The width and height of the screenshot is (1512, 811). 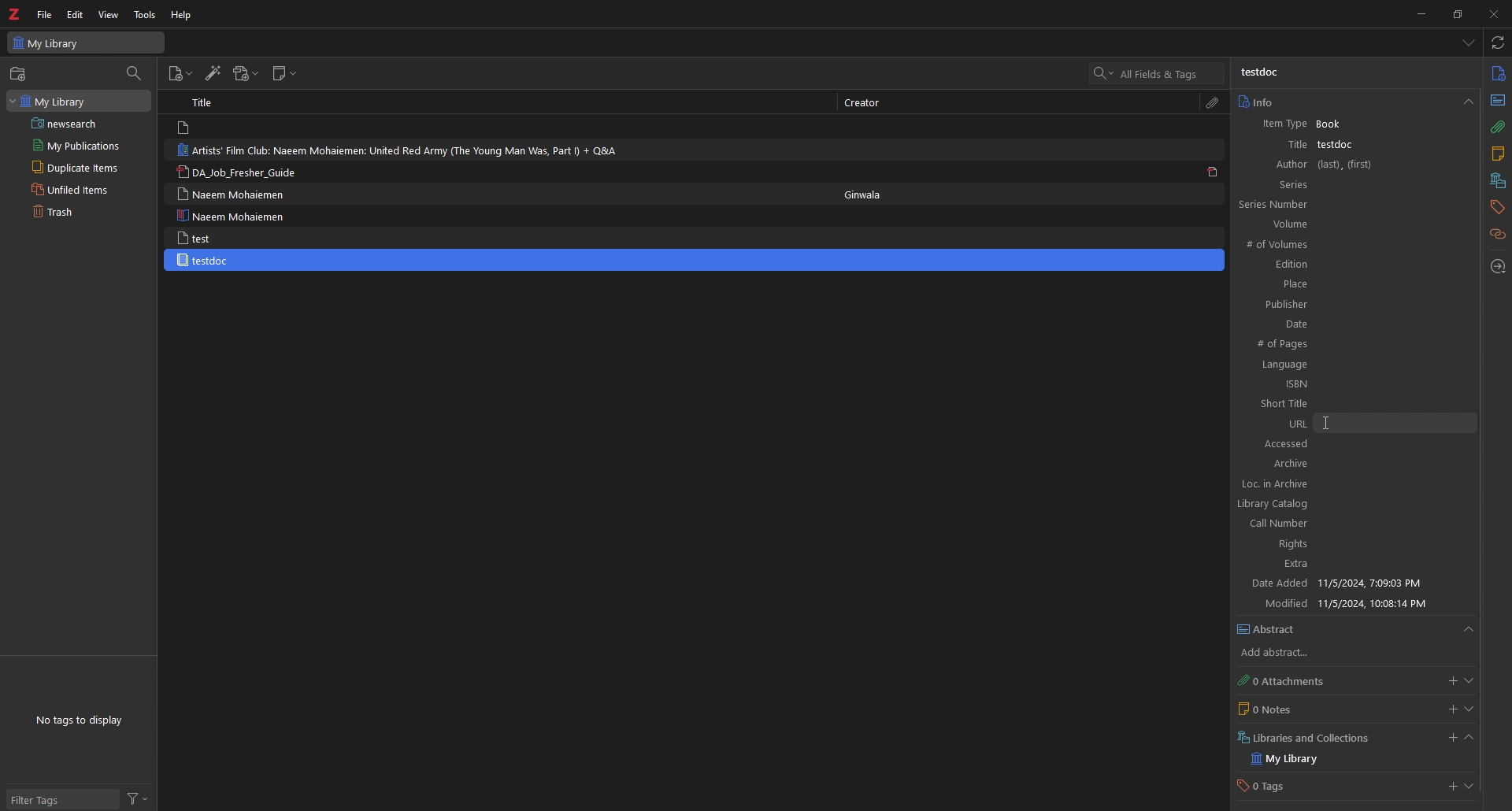 I want to click on Call Number, so click(x=1346, y=524).